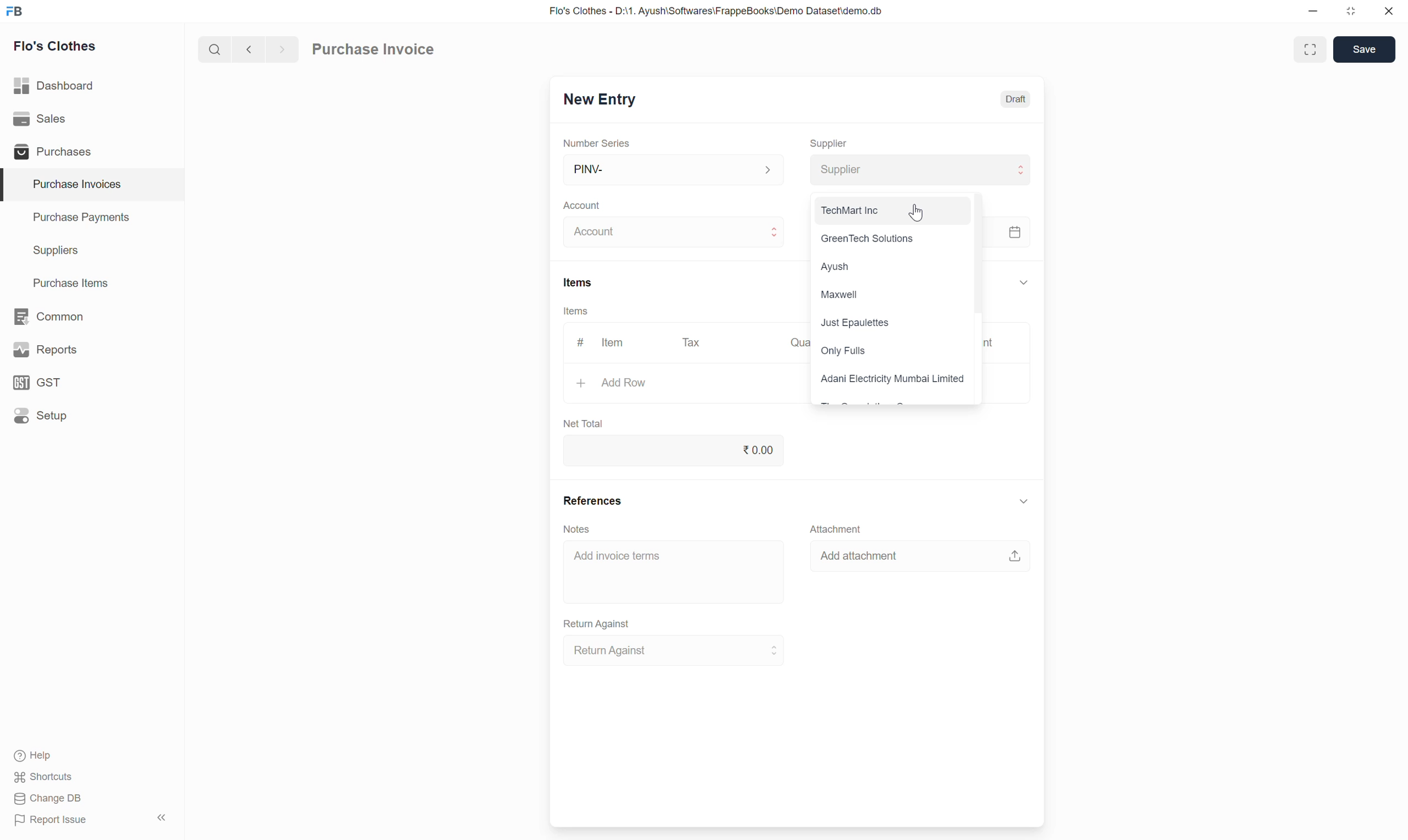 The image size is (1408, 840). What do you see at coordinates (576, 311) in the screenshot?
I see `Items` at bounding box center [576, 311].